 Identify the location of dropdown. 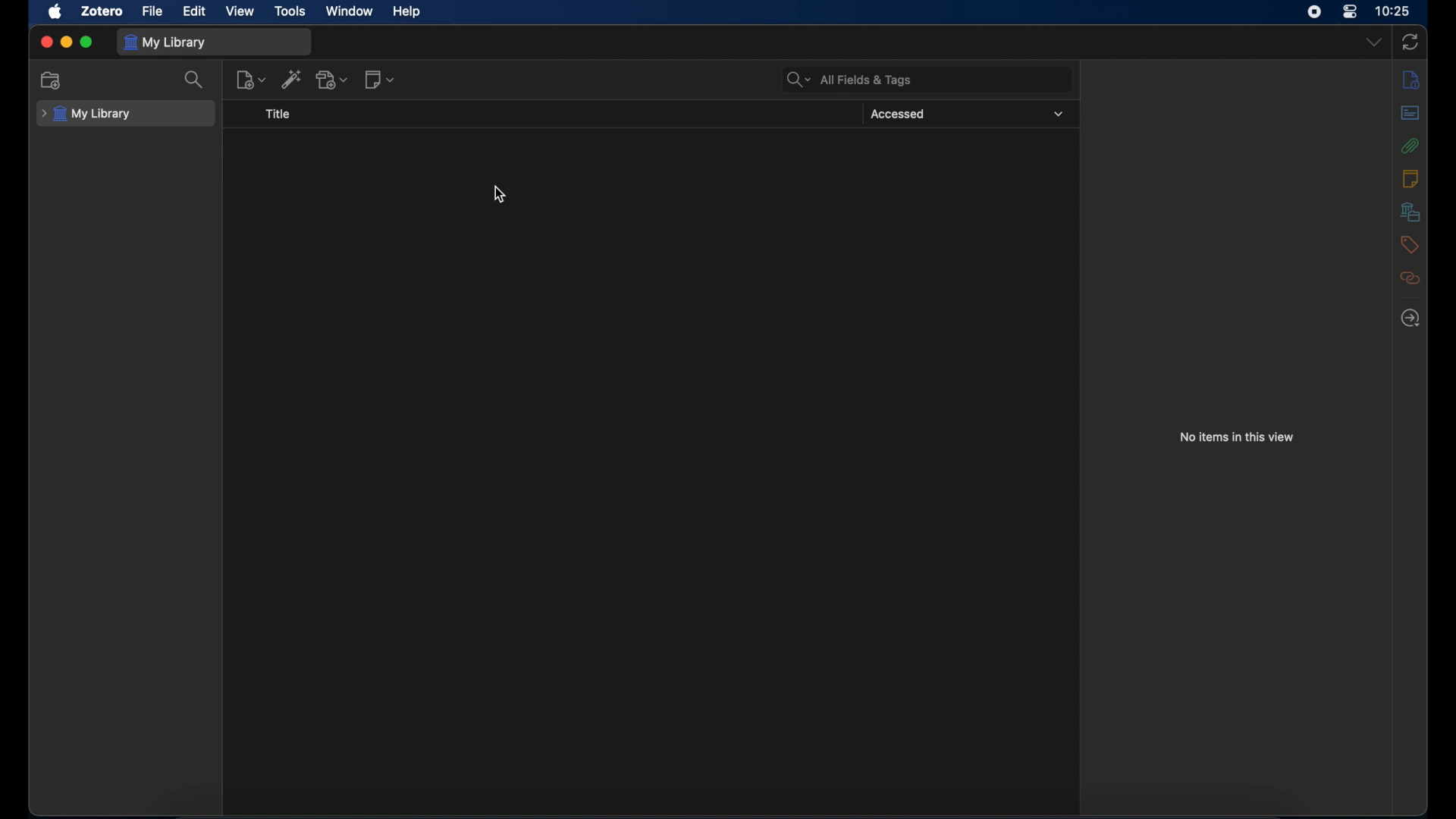
(1059, 115).